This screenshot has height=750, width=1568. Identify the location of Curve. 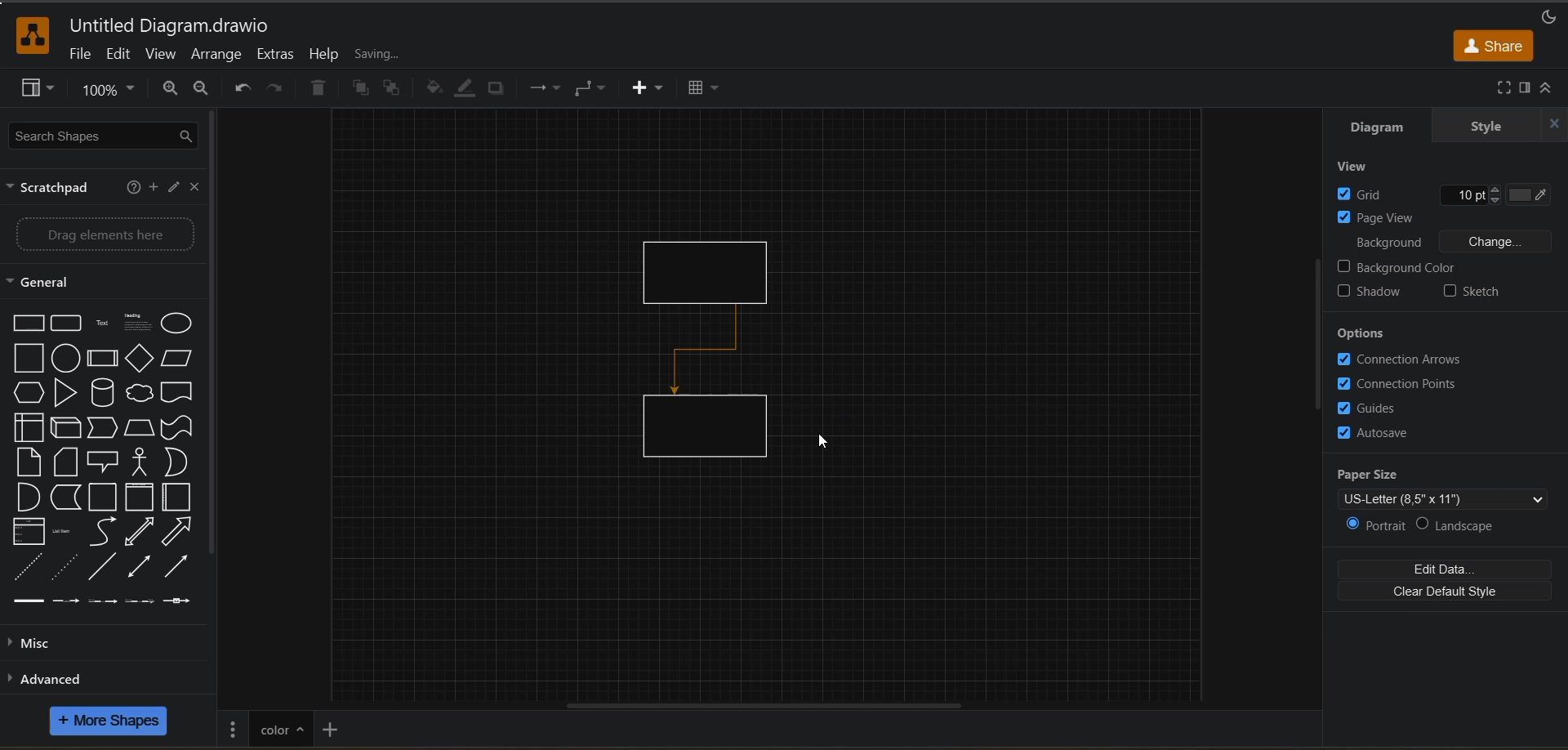
(105, 533).